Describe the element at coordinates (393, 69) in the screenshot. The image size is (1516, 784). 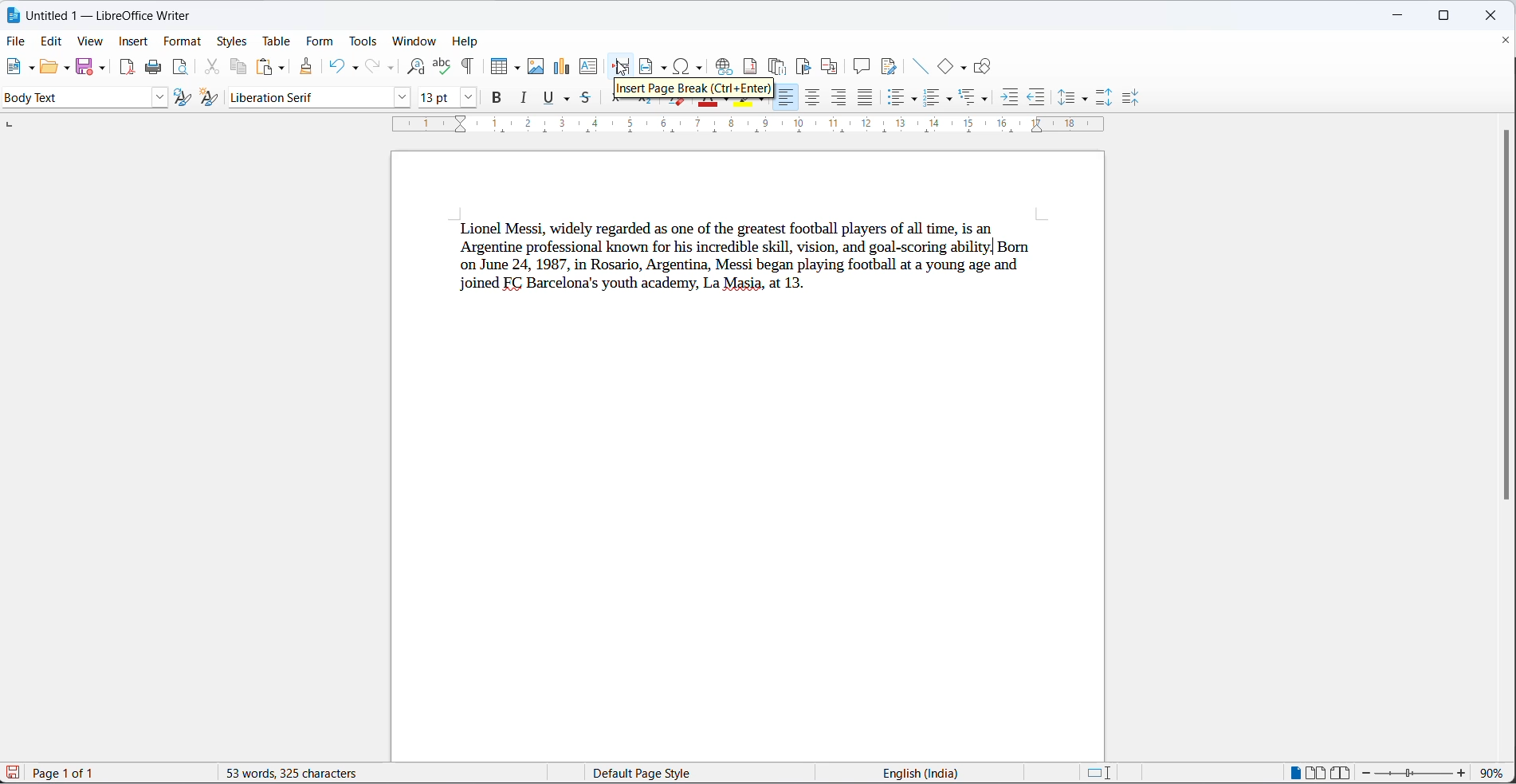
I see `redo option` at that location.